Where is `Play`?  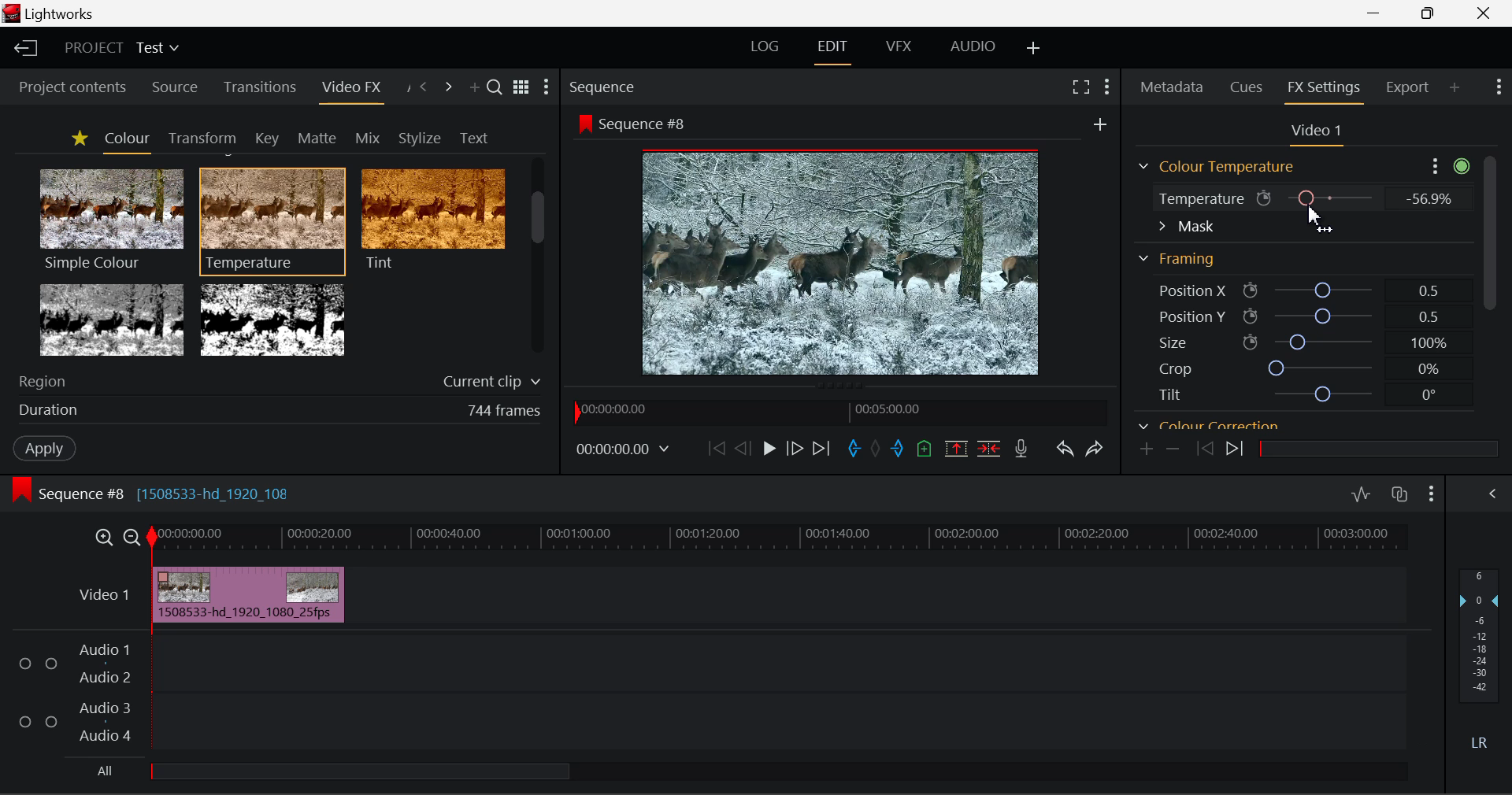
Play is located at coordinates (769, 451).